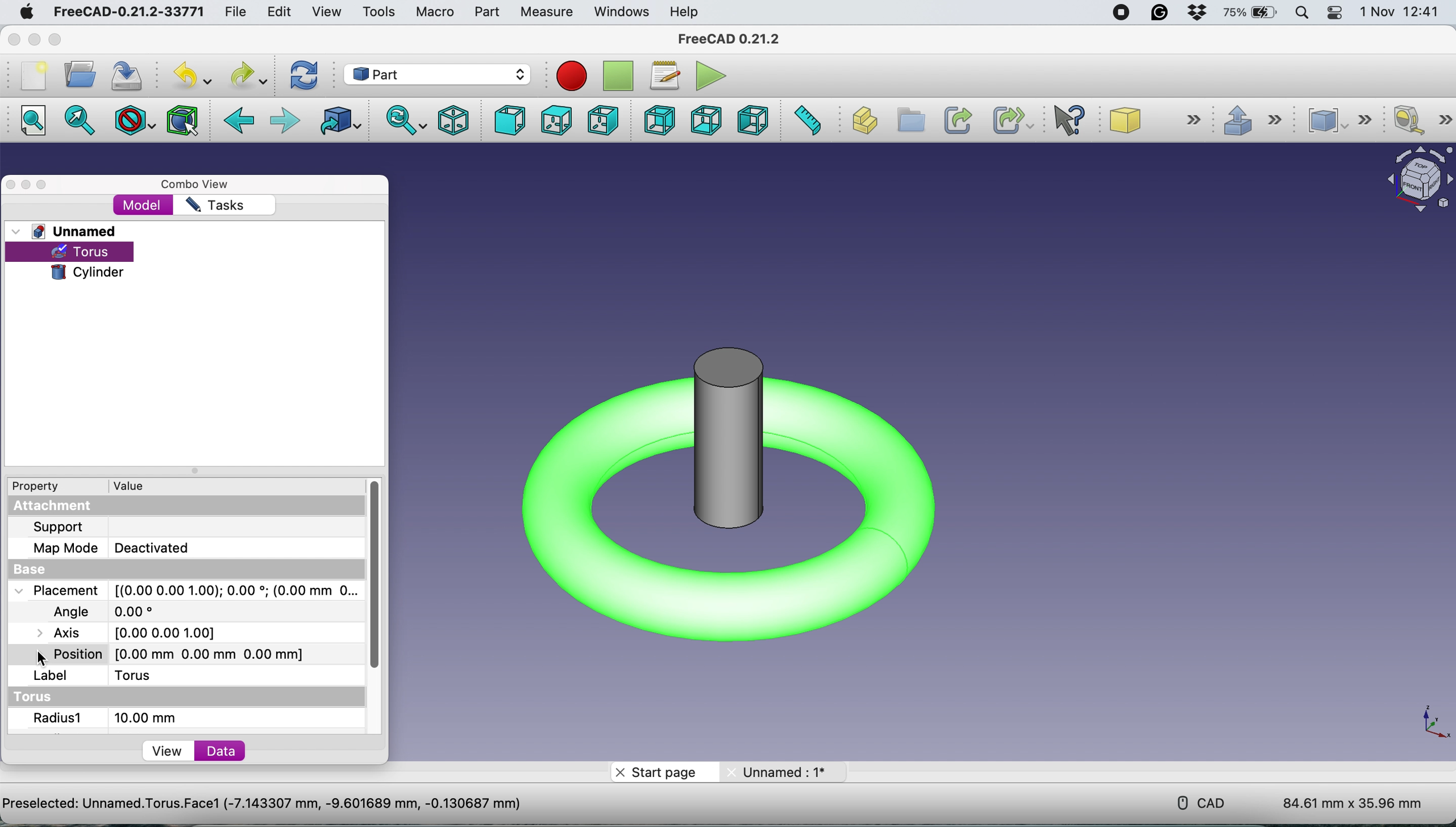  I want to click on xy coordinate, so click(1432, 726).